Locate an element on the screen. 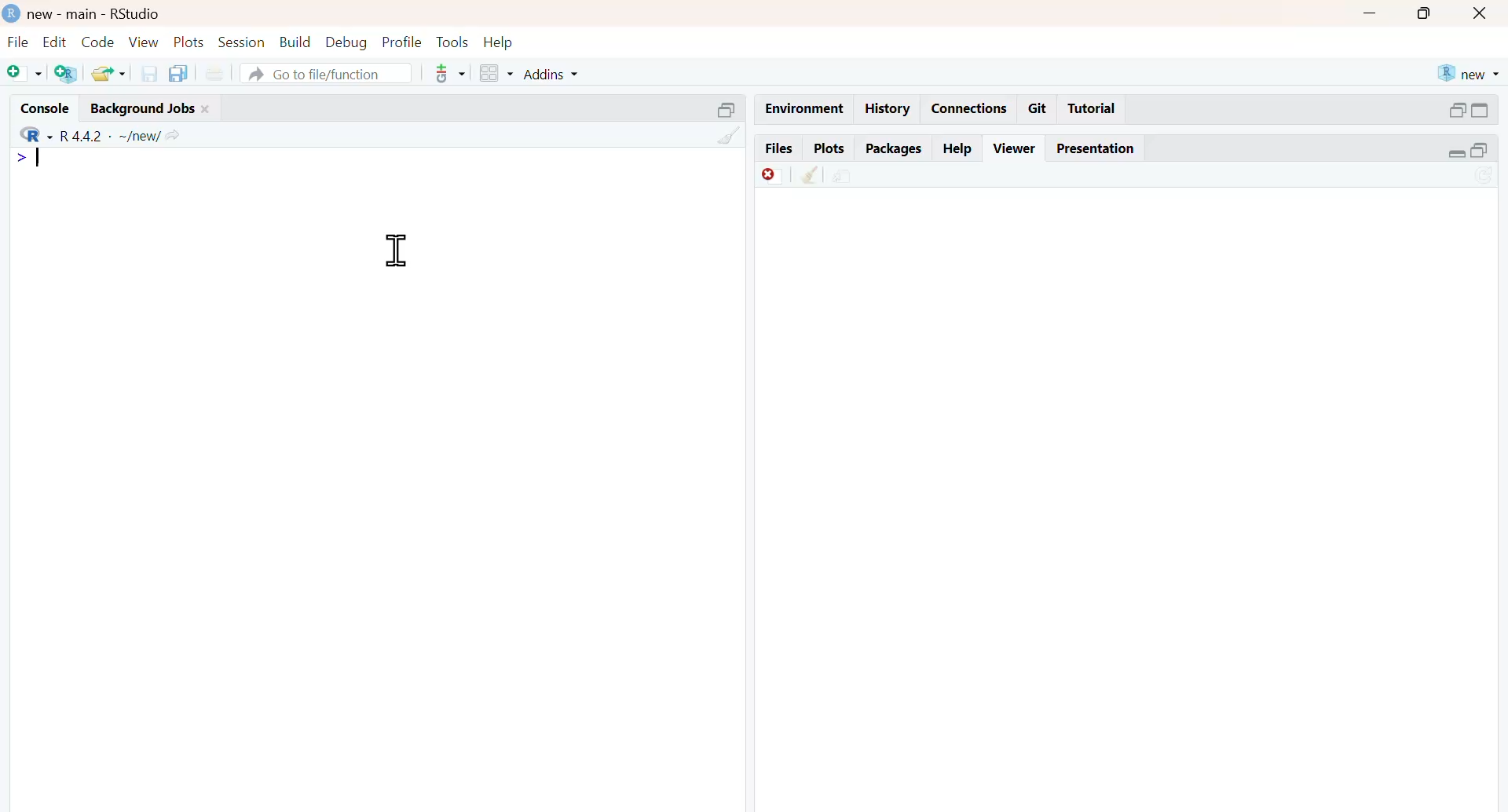 This screenshot has height=812, width=1508. open in separate window is located at coordinates (1458, 110).